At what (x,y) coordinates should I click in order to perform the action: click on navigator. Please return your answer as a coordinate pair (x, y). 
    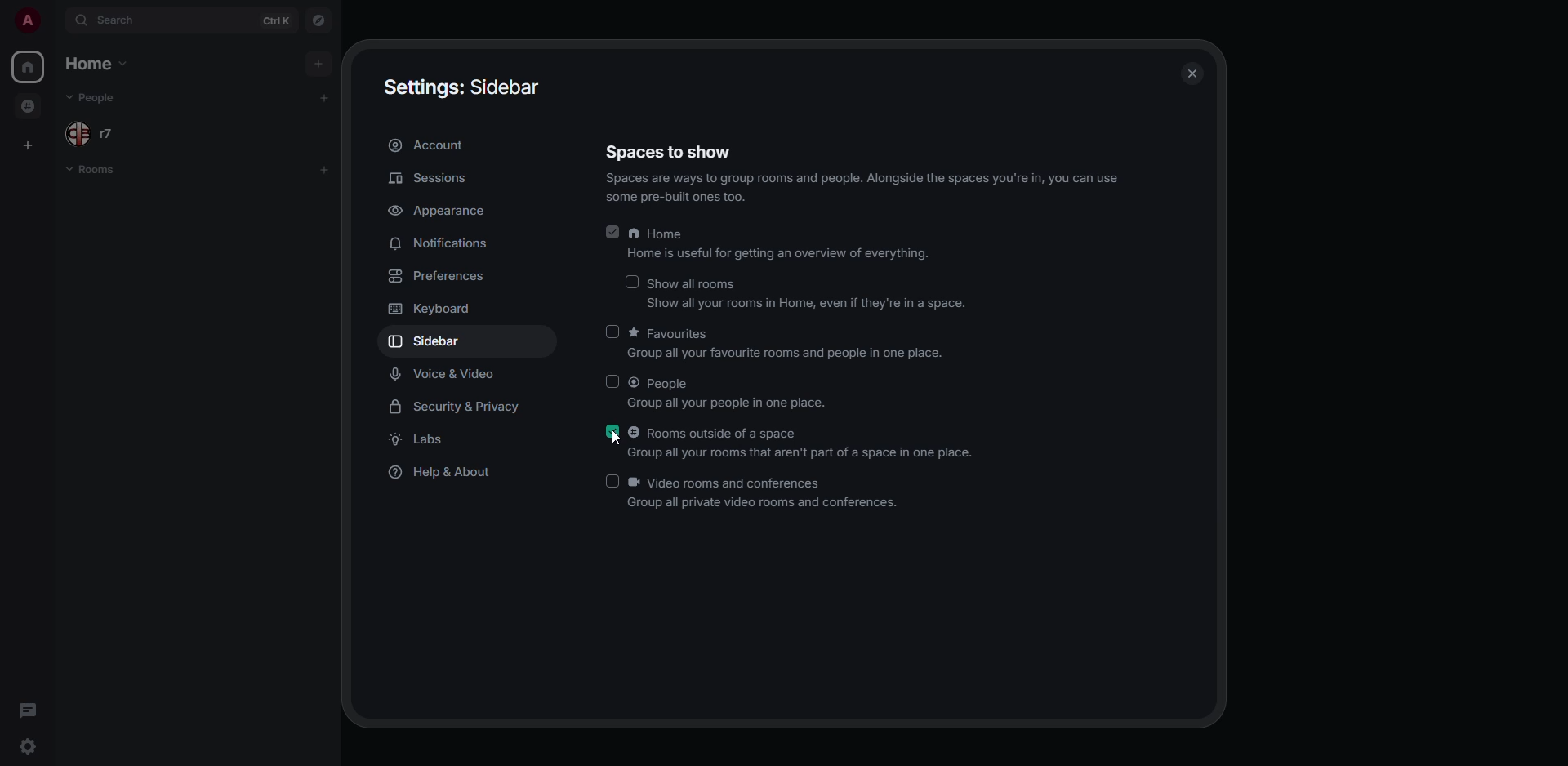
    Looking at the image, I should click on (321, 20).